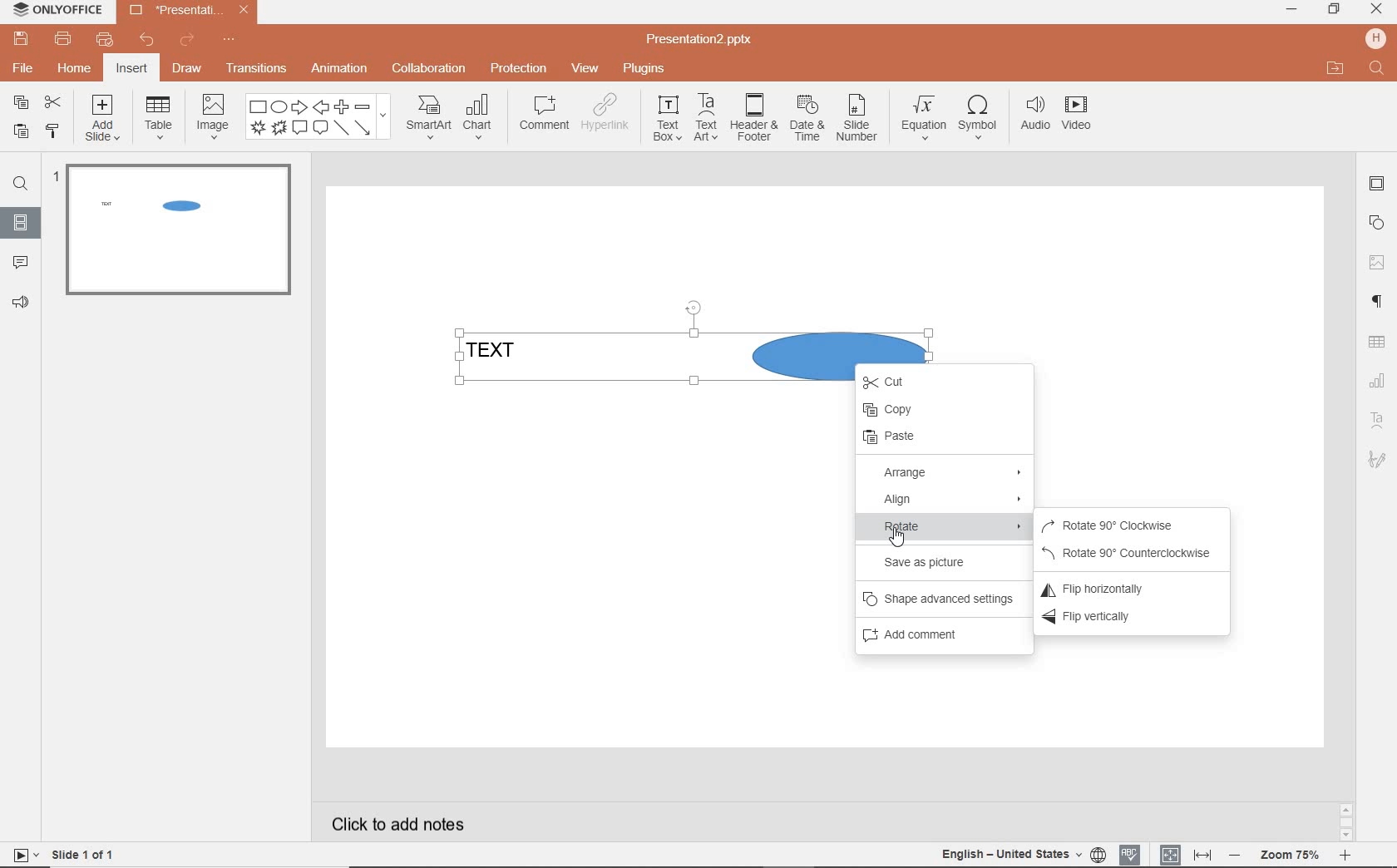 The height and width of the screenshot is (868, 1397). I want to click on save as picture, so click(933, 563).